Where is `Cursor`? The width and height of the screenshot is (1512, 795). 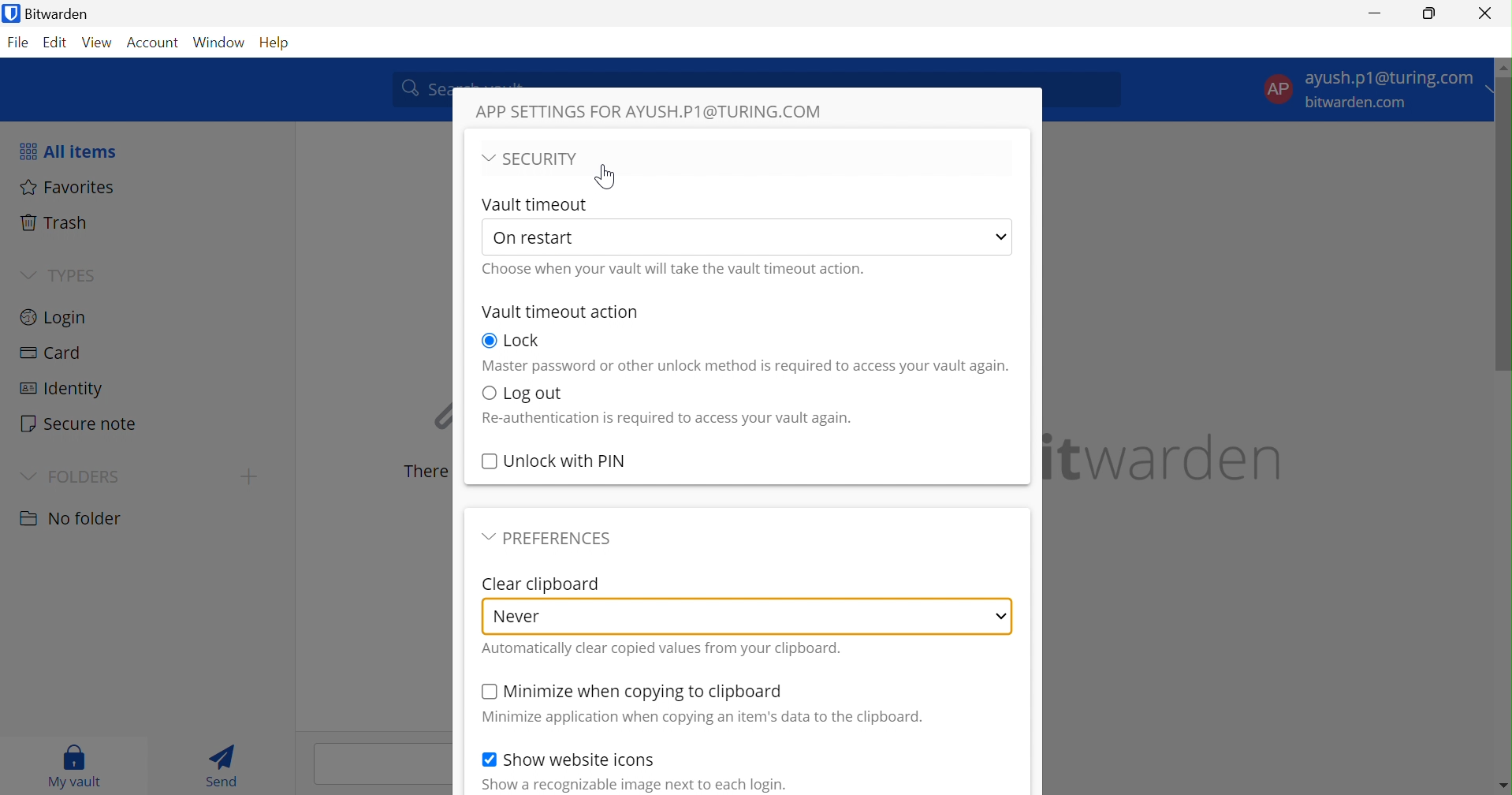
Cursor is located at coordinates (605, 175).